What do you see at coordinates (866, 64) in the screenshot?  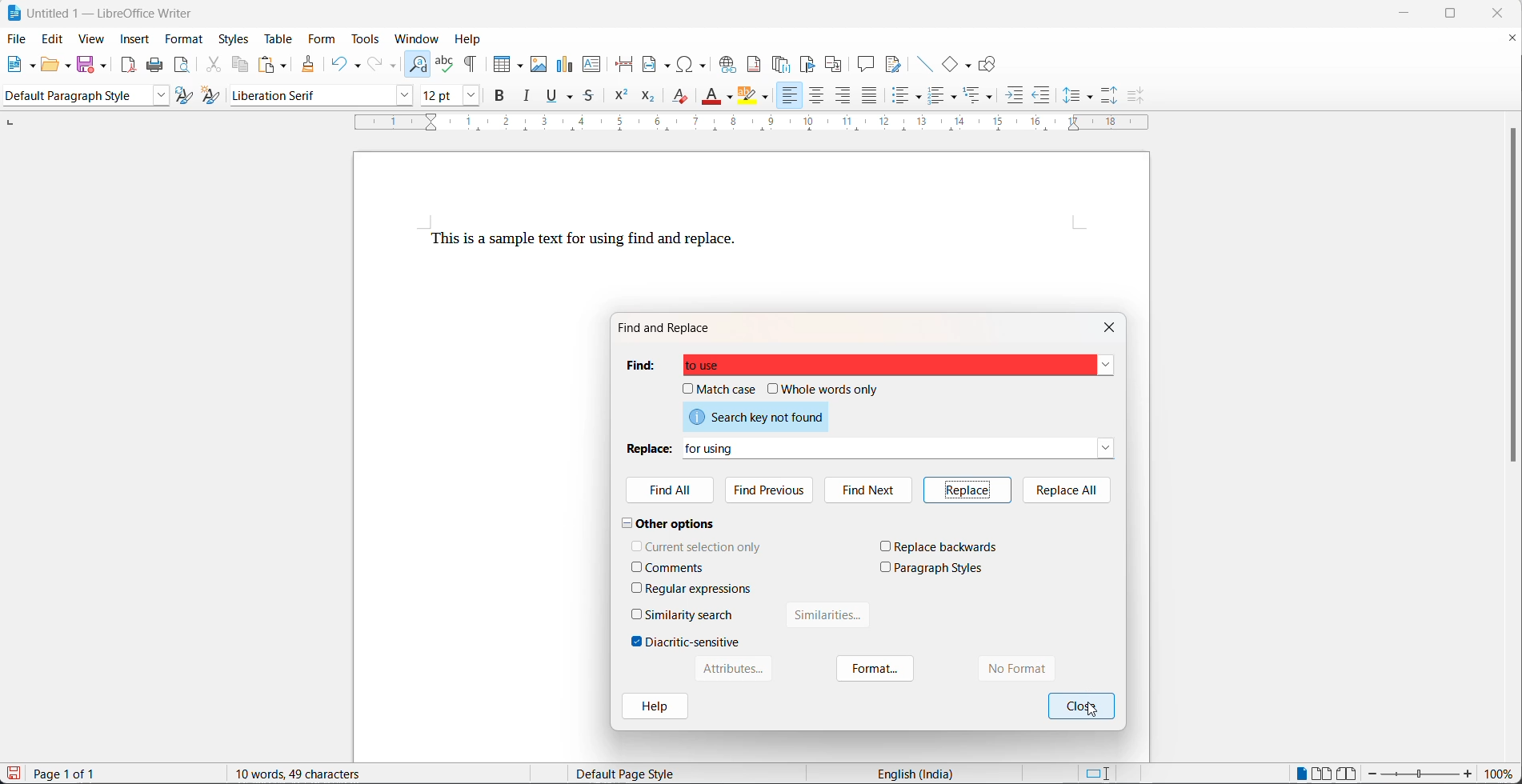 I see `insert comment` at bounding box center [866, 64].